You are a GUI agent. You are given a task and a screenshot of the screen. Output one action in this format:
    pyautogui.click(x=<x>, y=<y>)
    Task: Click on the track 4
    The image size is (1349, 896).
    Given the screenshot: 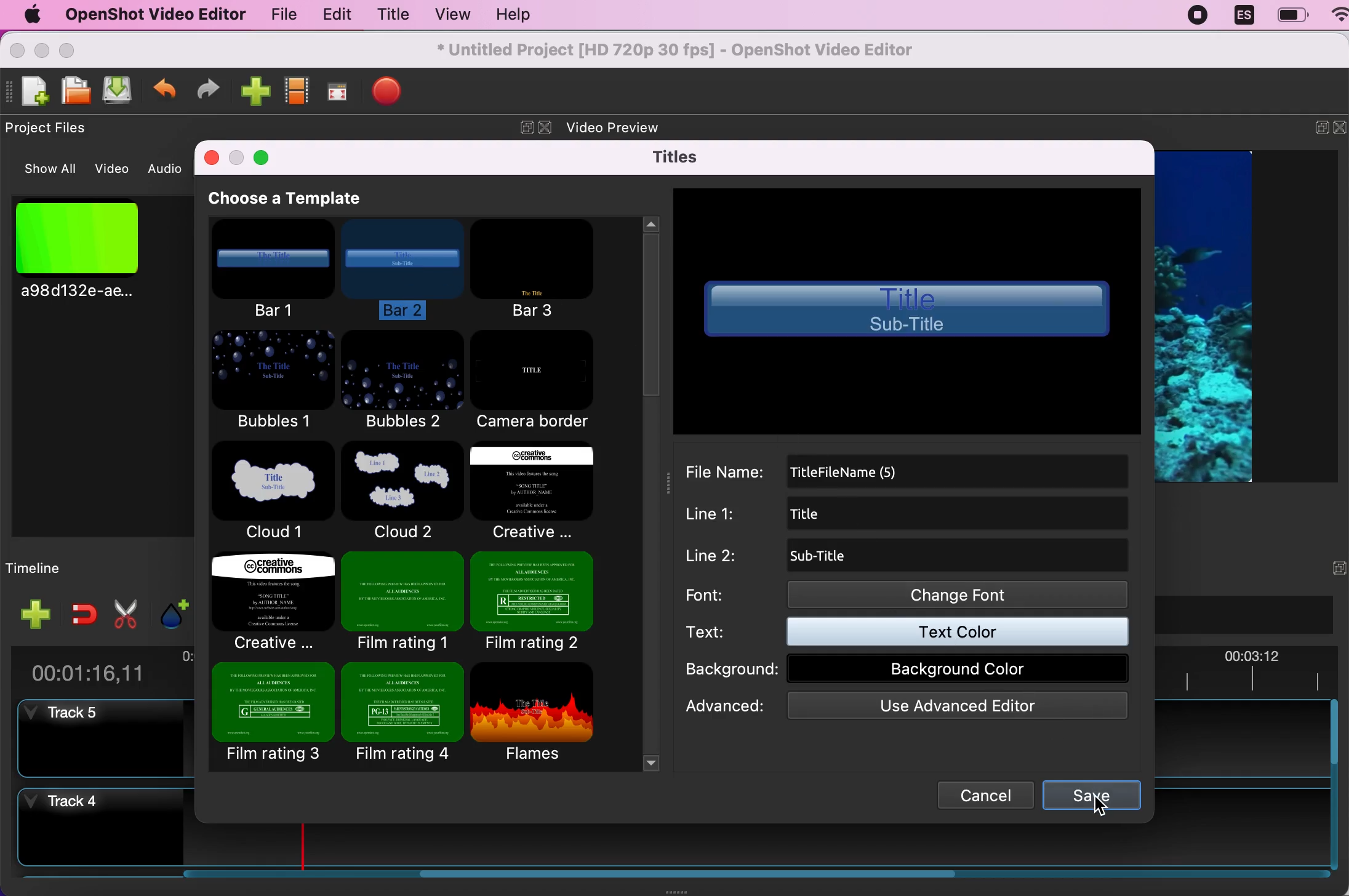 What is the action you would take?
    pyautogui.click(x=100, y=830)
    